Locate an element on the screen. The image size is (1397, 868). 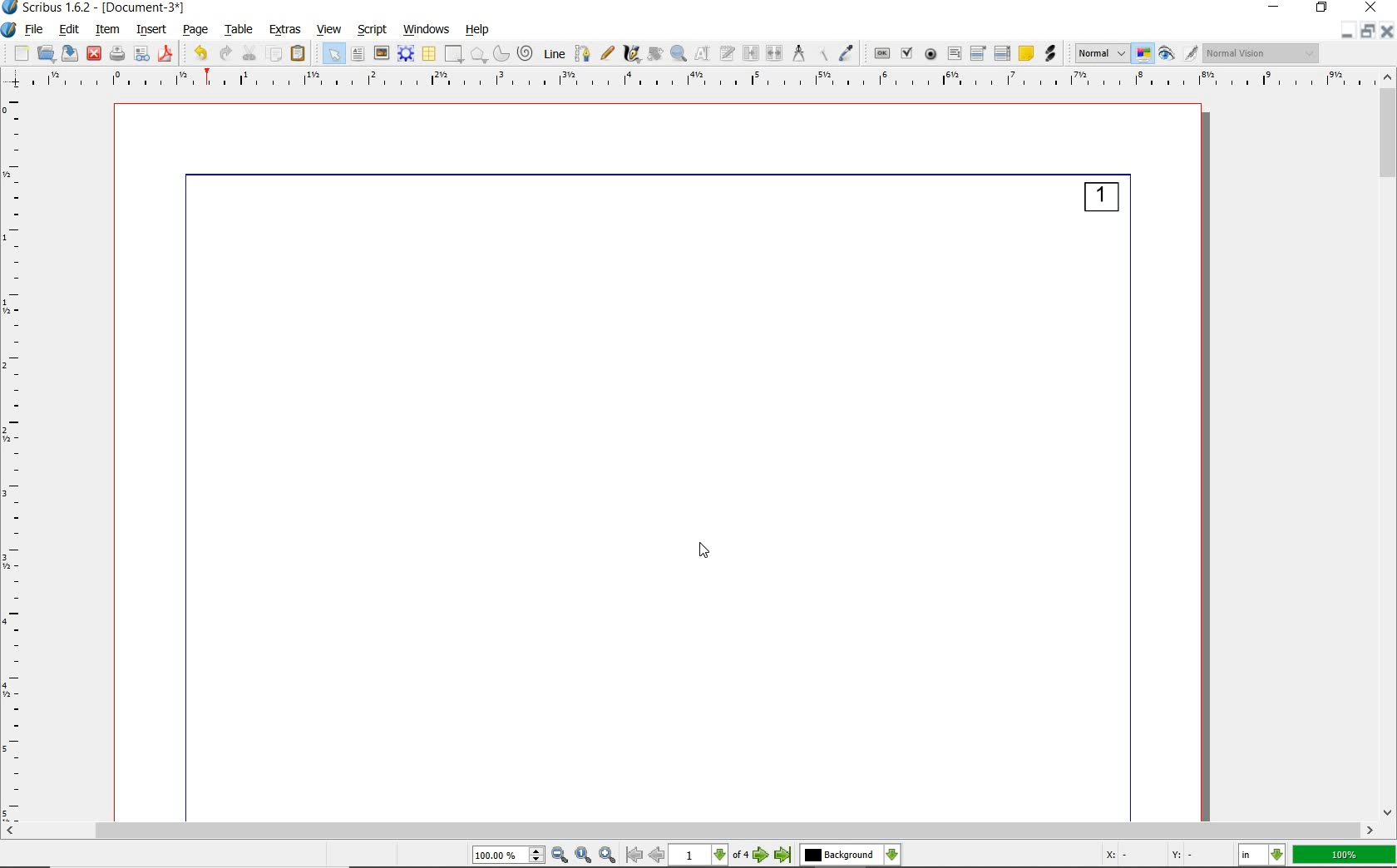
Zoom In is located at coordinates (607, 856).